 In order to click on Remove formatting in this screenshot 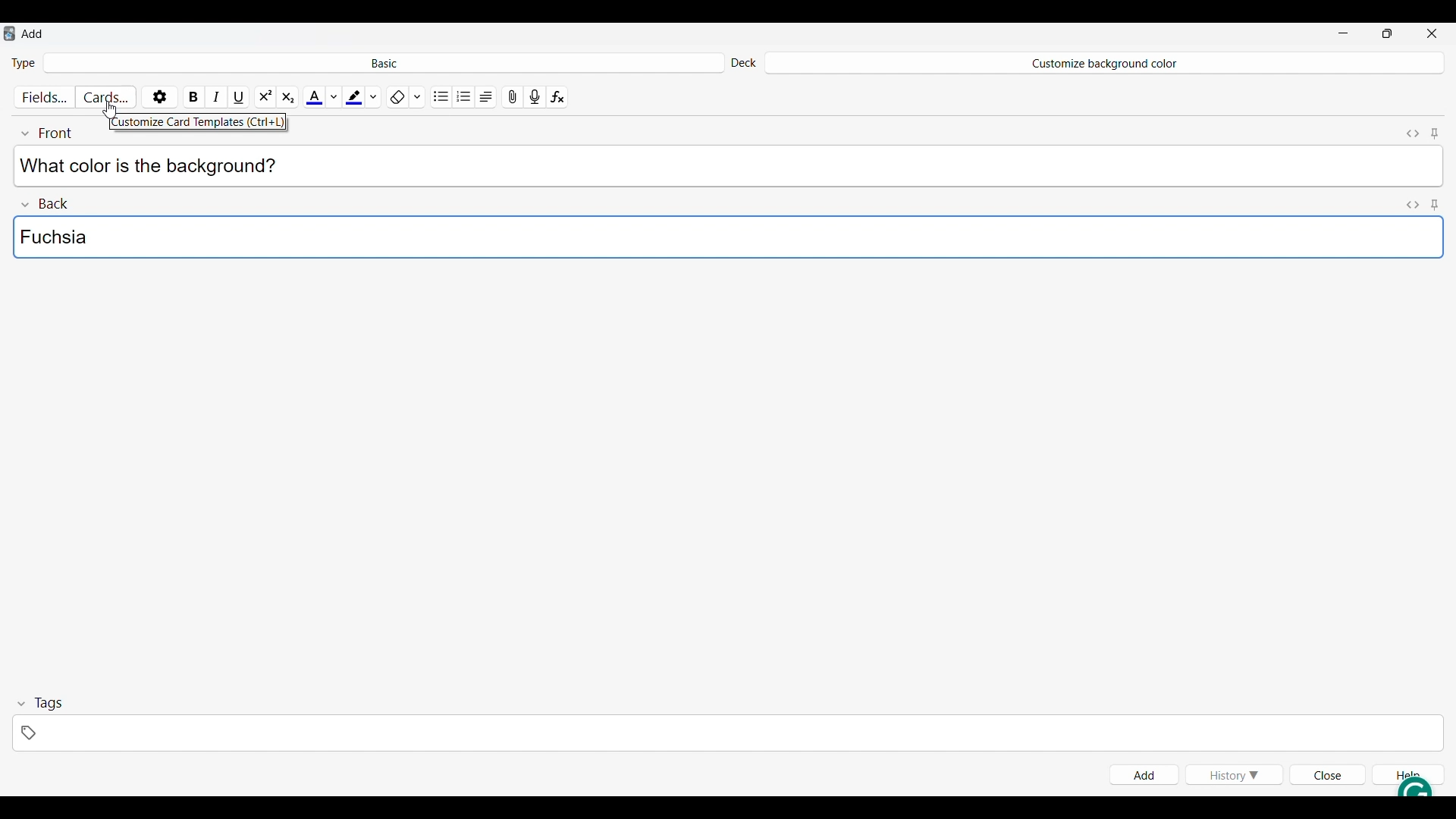, I will do `click(397, 95)`.